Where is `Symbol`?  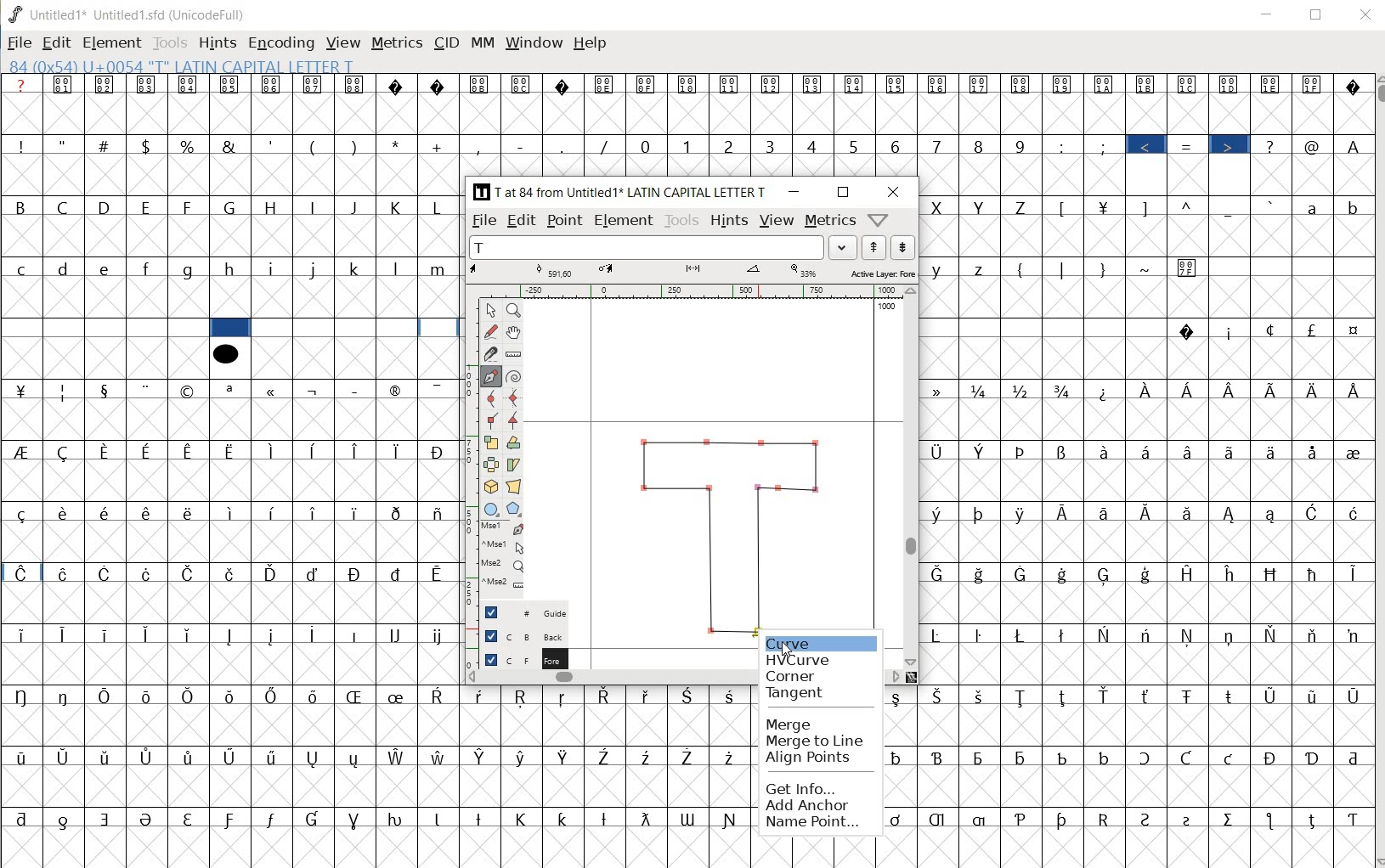 Symbol is located at coordinates (522, 698).